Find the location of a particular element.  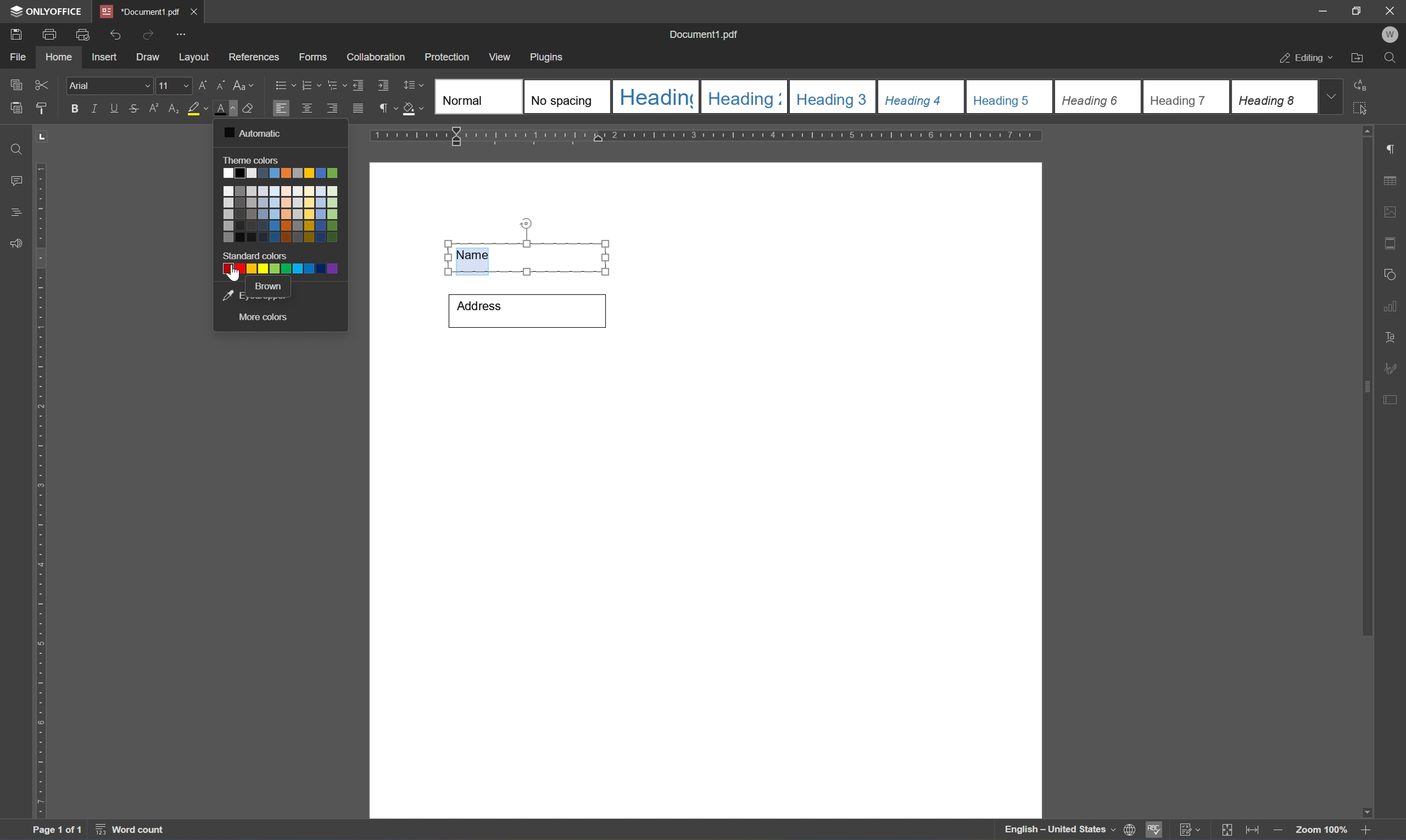

zoom 100% is located at coordinates (1321, 829).